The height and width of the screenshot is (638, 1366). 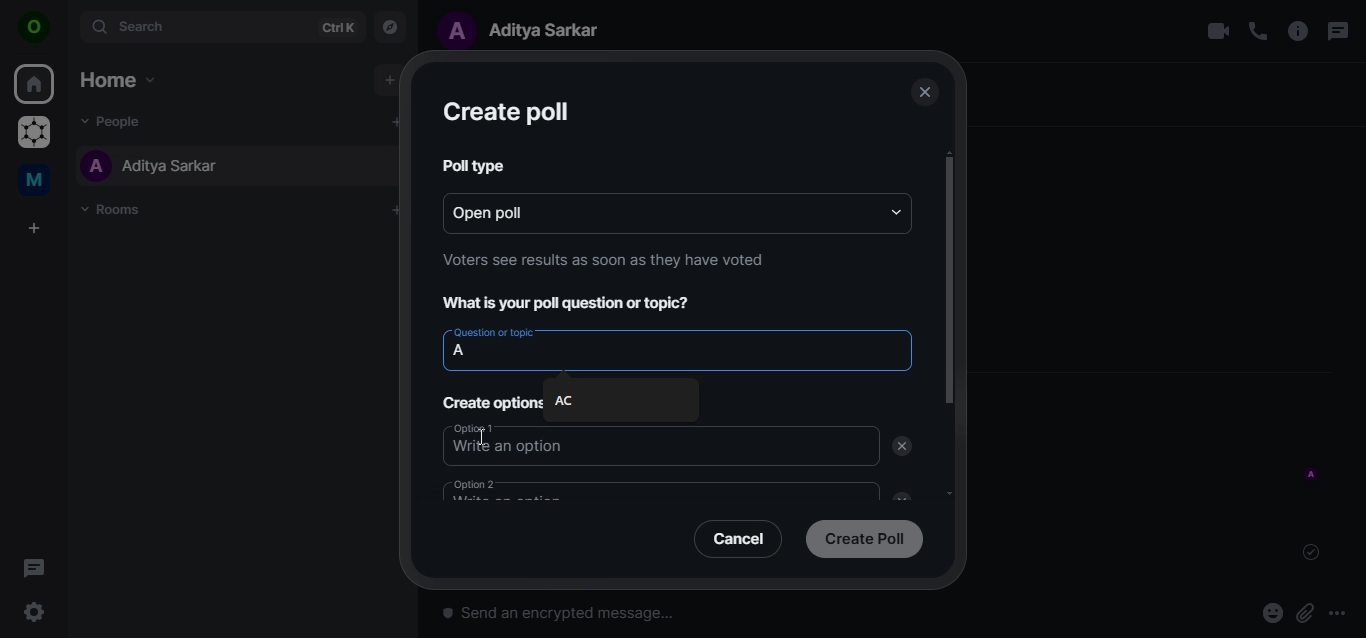 I want to click on video call, so click(x=1217, y=31).